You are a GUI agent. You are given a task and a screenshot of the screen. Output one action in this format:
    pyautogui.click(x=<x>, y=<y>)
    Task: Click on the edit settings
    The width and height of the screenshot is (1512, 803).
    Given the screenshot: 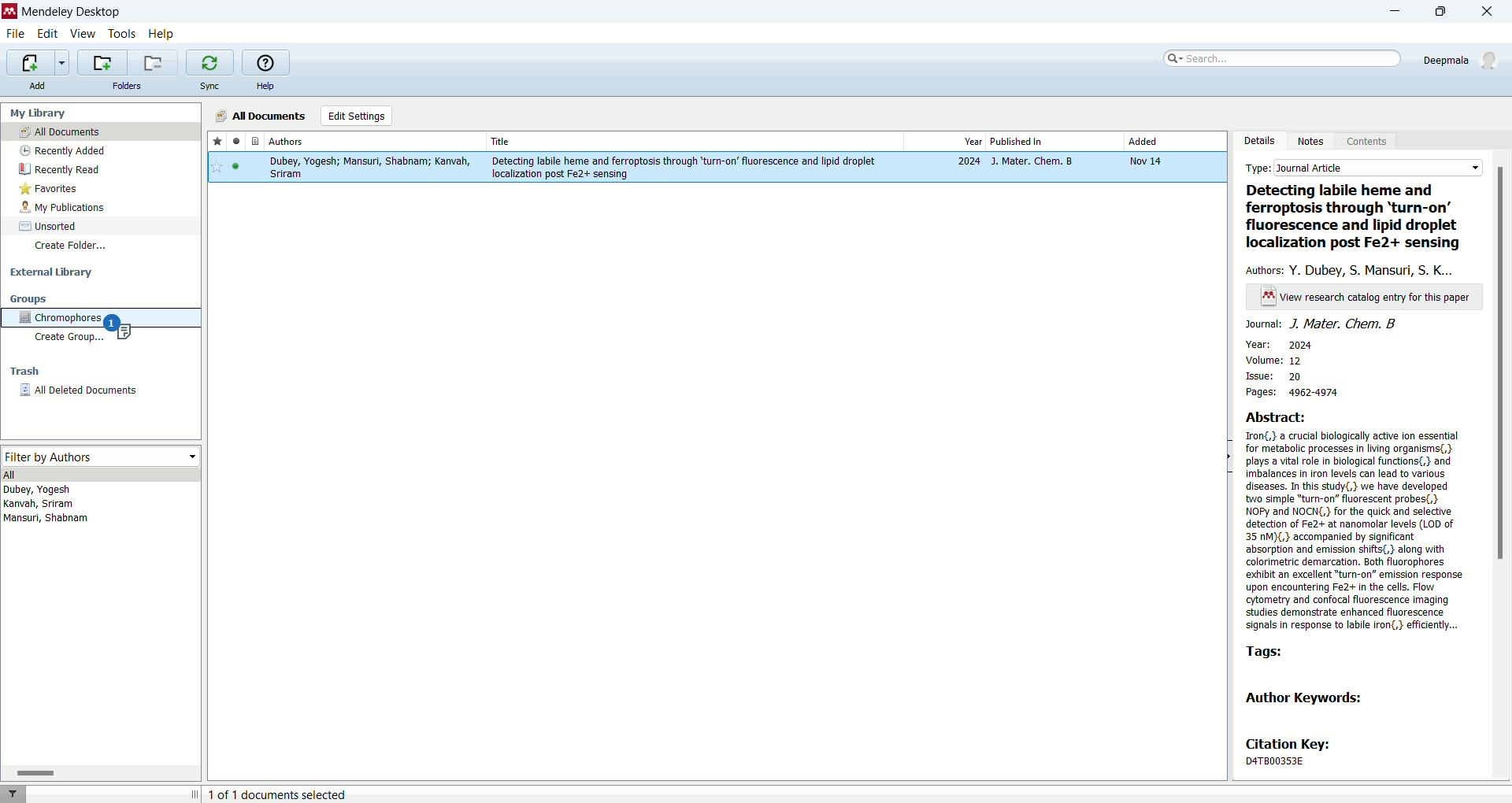 What is the action you would take?
    pyautogui.click(x=356, y=116)
    